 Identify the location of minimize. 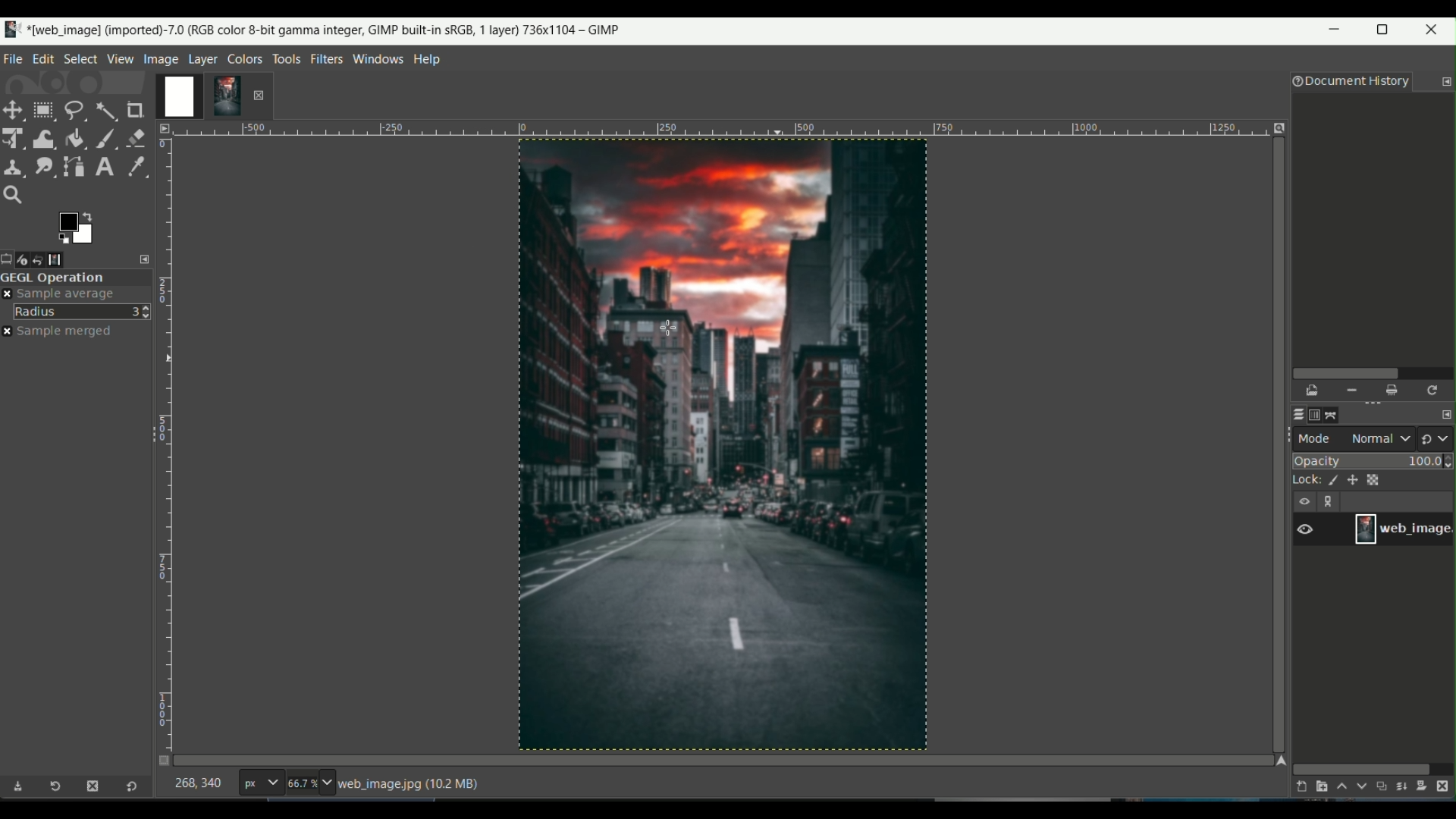
(1335, 33).